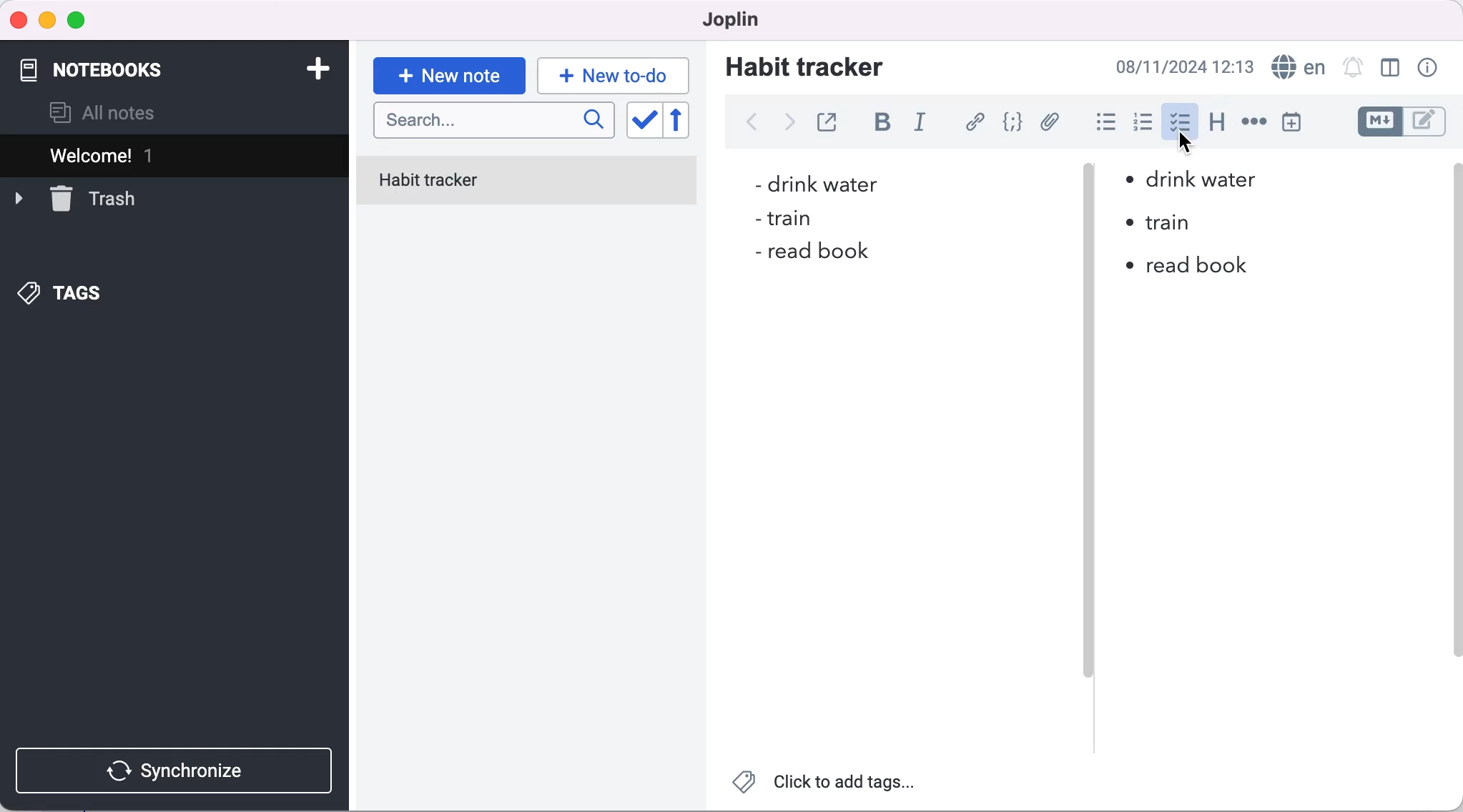 The height and width of the screenshot is (812, 1463). What do you see at coordinates (315, 67) in the screenshot?
I see `add notebook` at bounding box center [315, 67].